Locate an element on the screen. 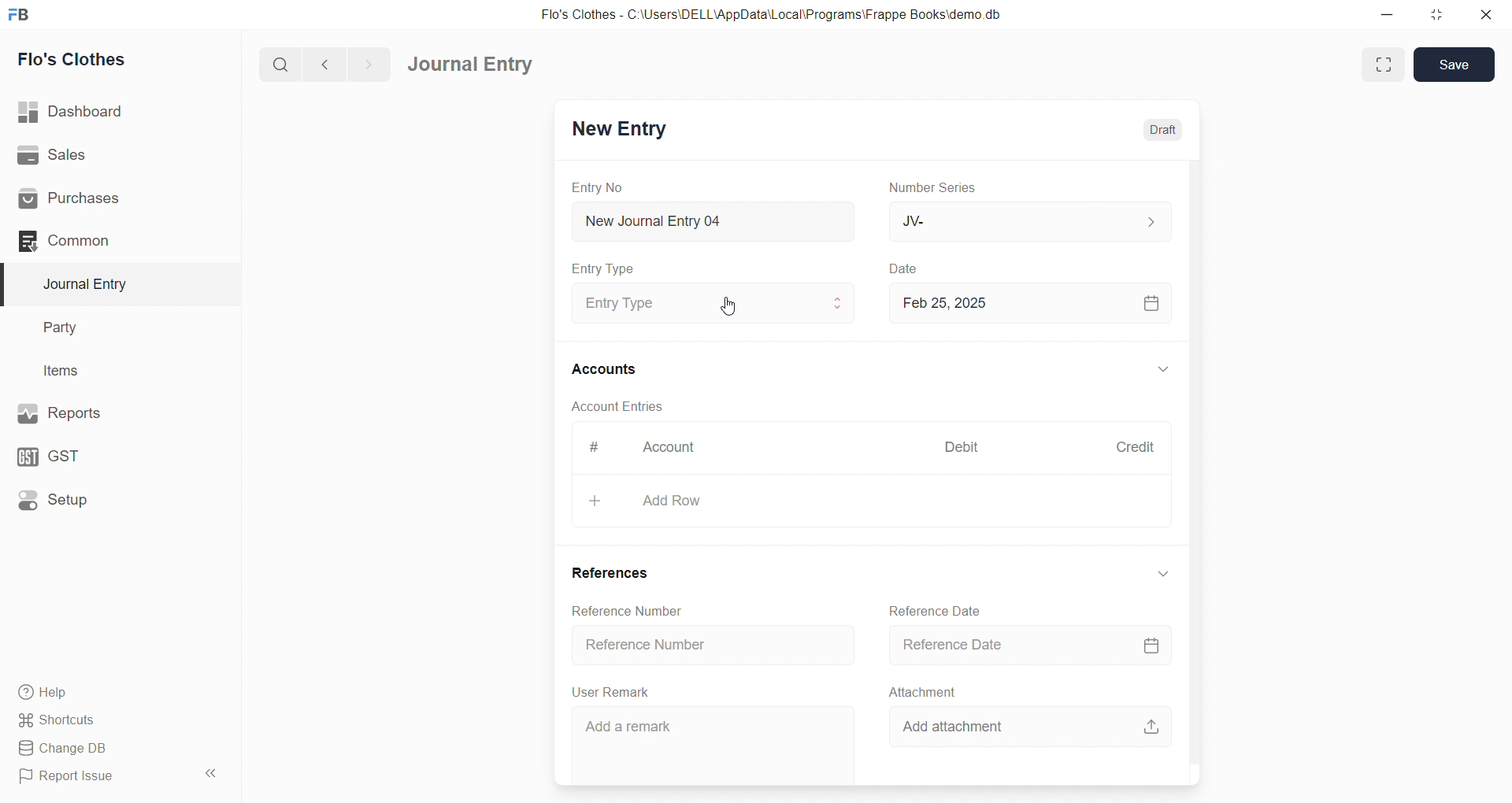 The width and height of the screenshot is (1512, 803). Help is located at coordinates (114, 691).